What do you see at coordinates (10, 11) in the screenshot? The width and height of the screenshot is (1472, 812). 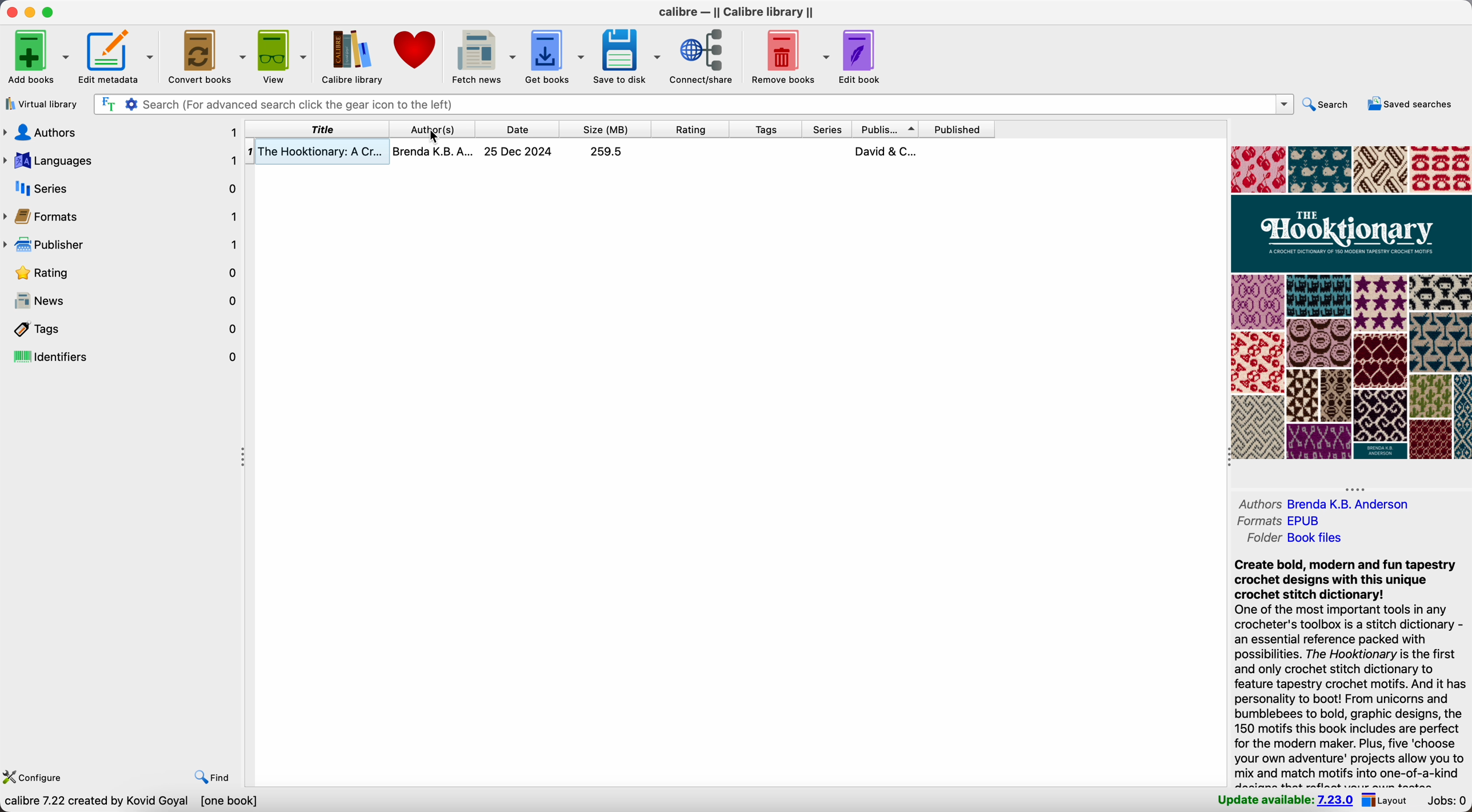 I see `close program` at bounding box center [10, 11].